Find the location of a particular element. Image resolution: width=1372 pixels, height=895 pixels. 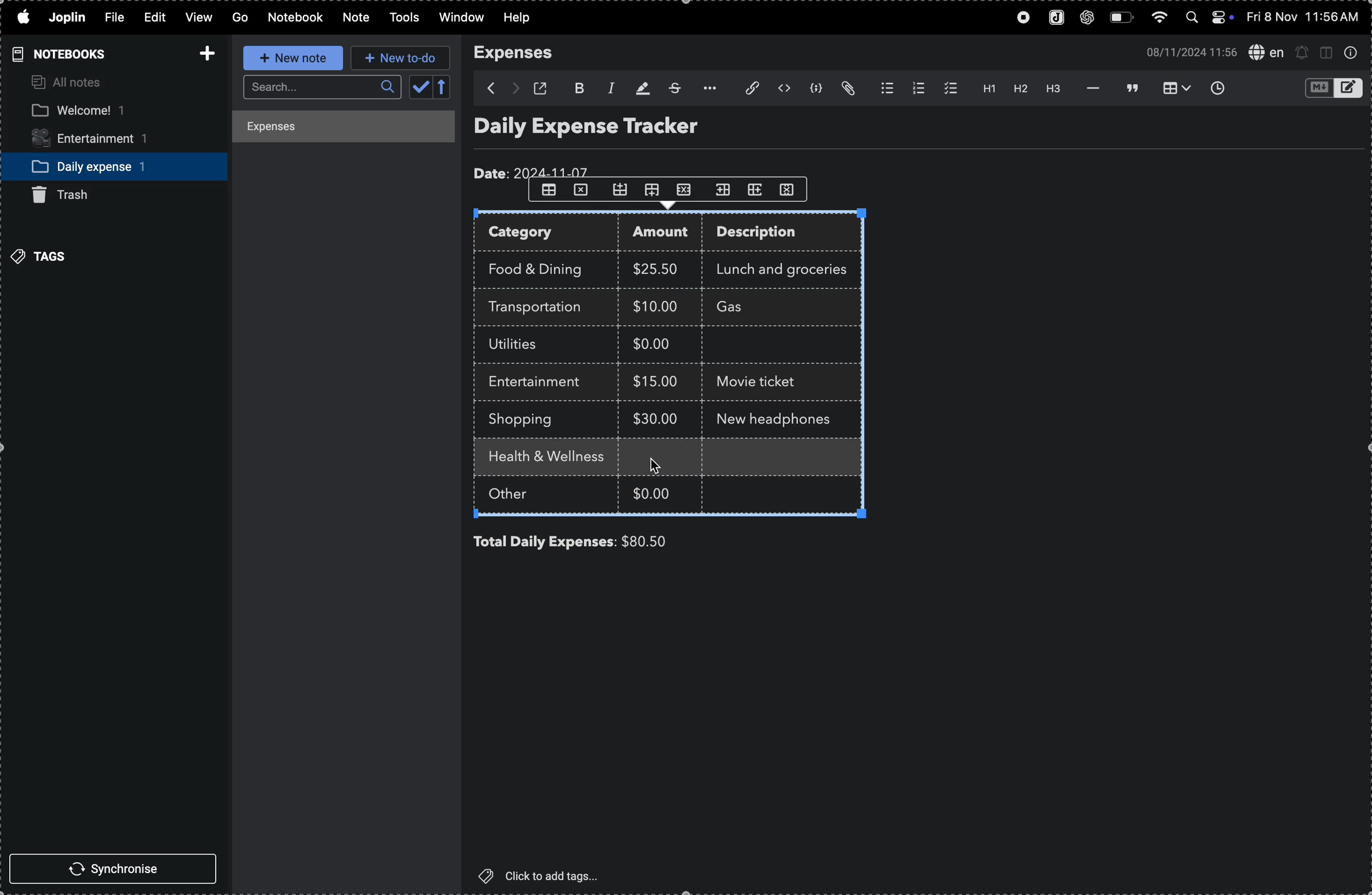

go is located at coordinates (239, 18).